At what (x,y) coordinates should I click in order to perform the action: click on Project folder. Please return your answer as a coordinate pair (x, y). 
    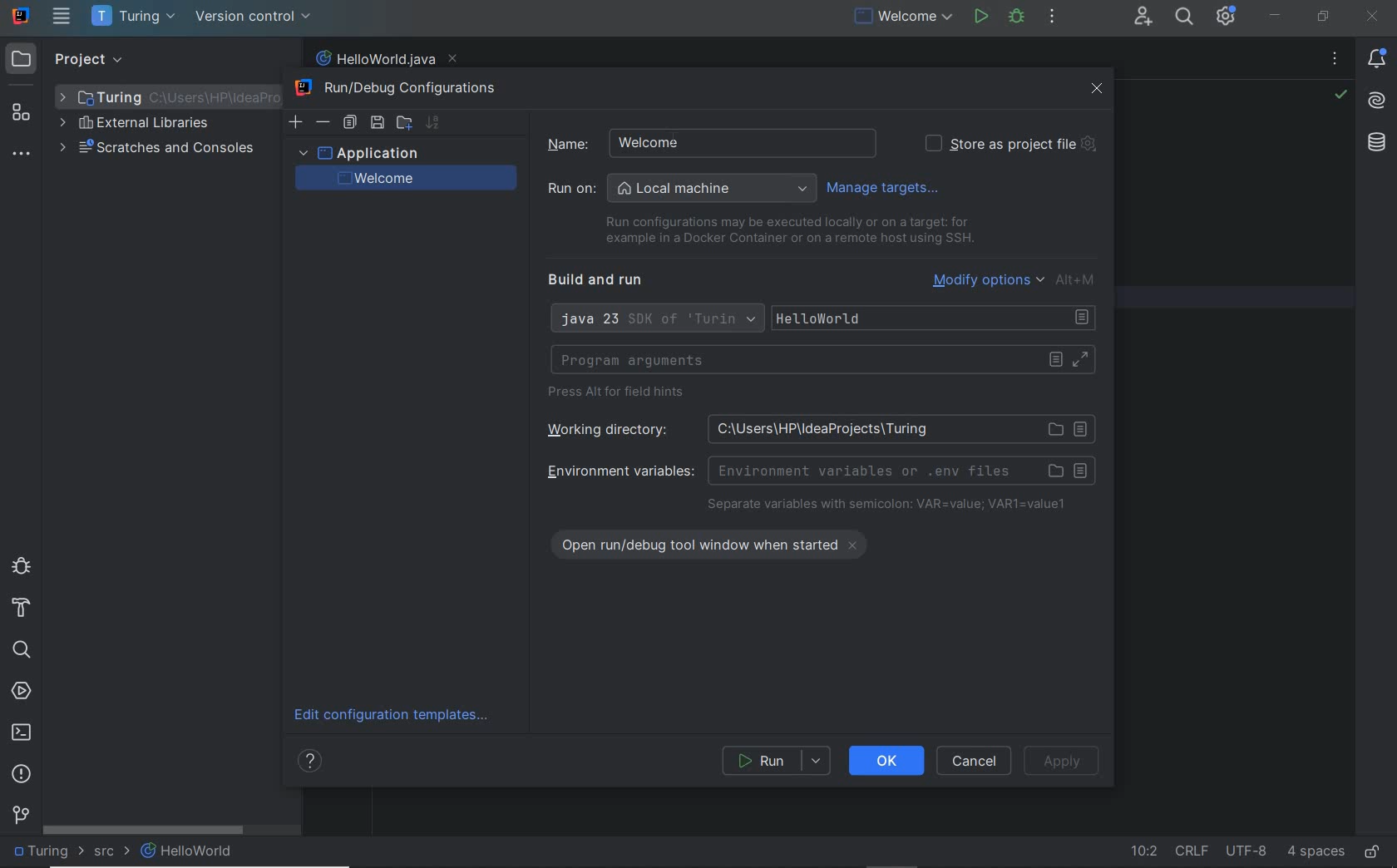
    Looking at the image, I should click on (163, 96).